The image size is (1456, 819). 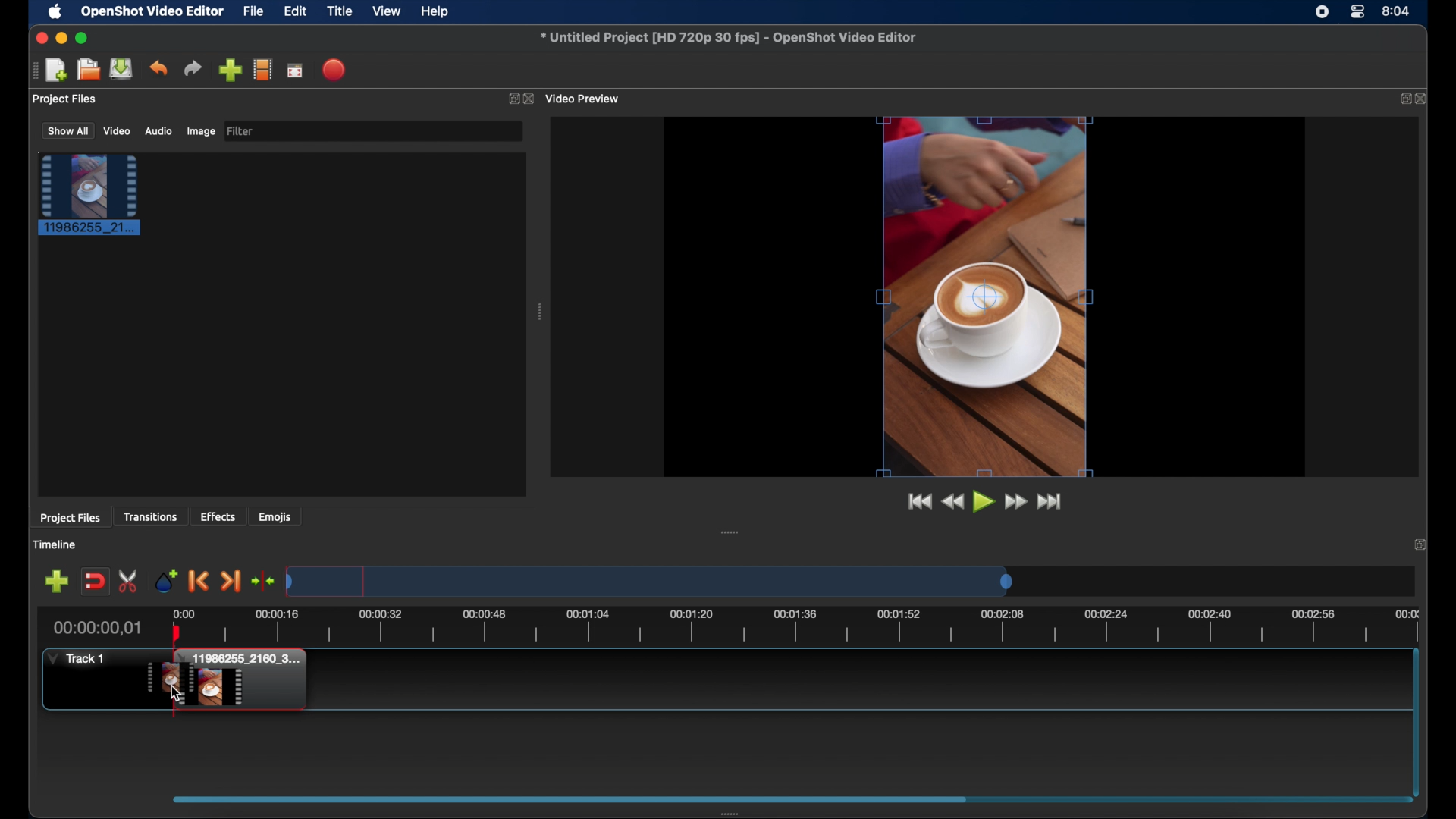 What do you see at coordinates (88, 70) in the screenshot?
I see `open project` at bounding box center [88, 70].